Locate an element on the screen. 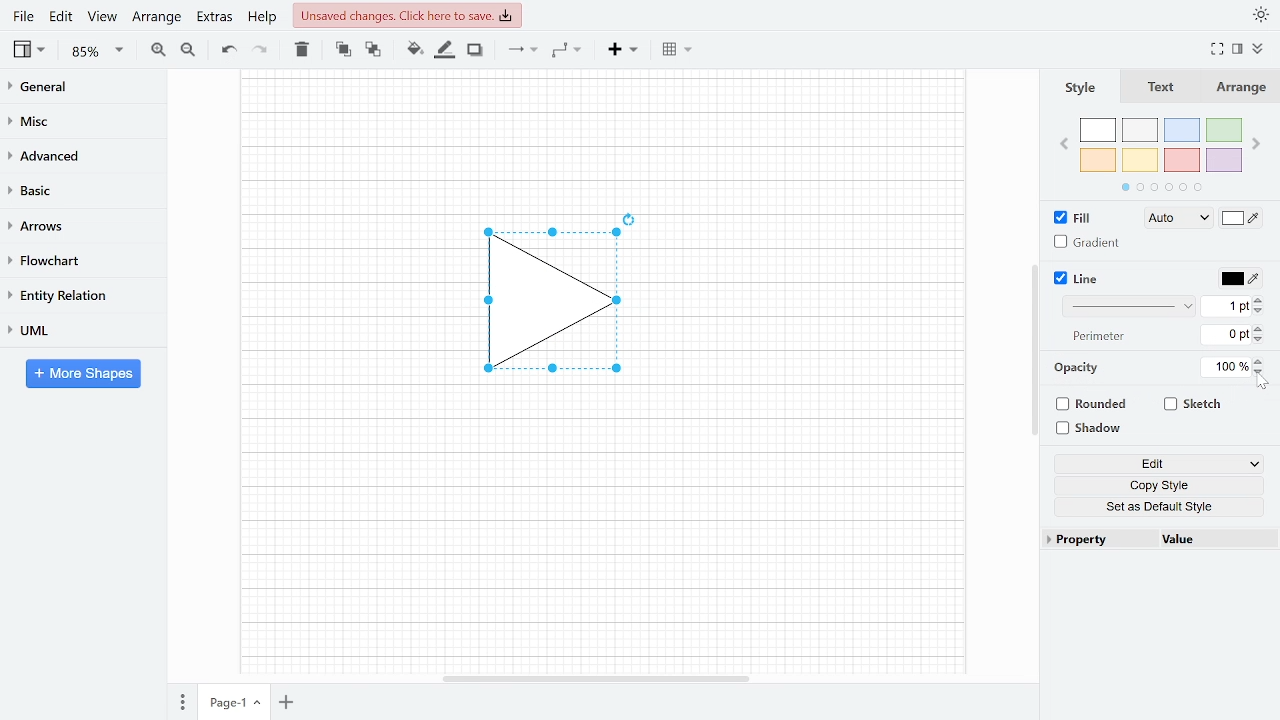 The image size is (1280, 720). help is located at coordinates (264, 16).